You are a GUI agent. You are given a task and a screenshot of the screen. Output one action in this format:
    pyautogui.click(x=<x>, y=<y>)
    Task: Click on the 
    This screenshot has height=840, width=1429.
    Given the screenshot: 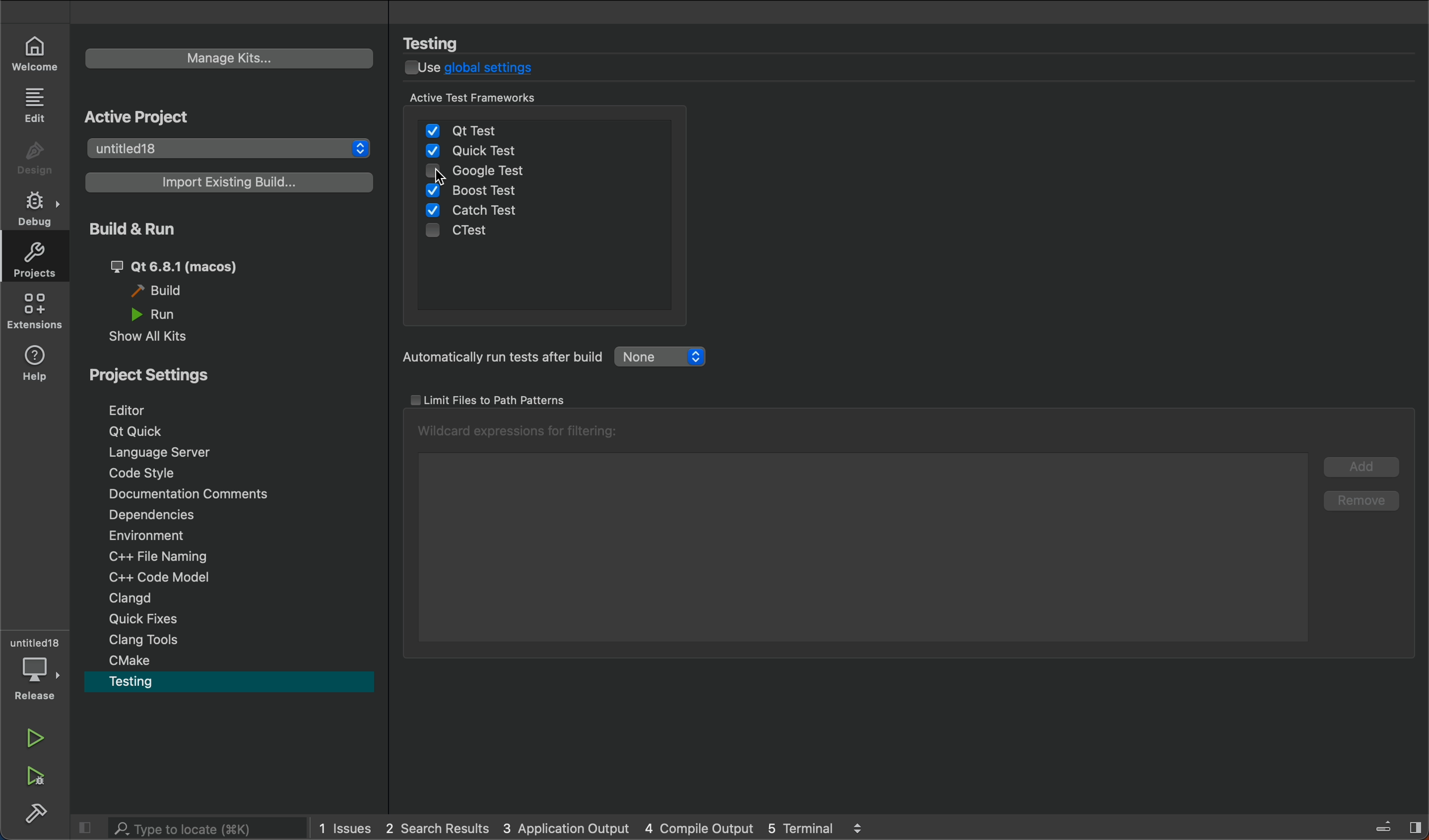 What is the action you would take?
    pyautogui.click(x=223, y=411)
    